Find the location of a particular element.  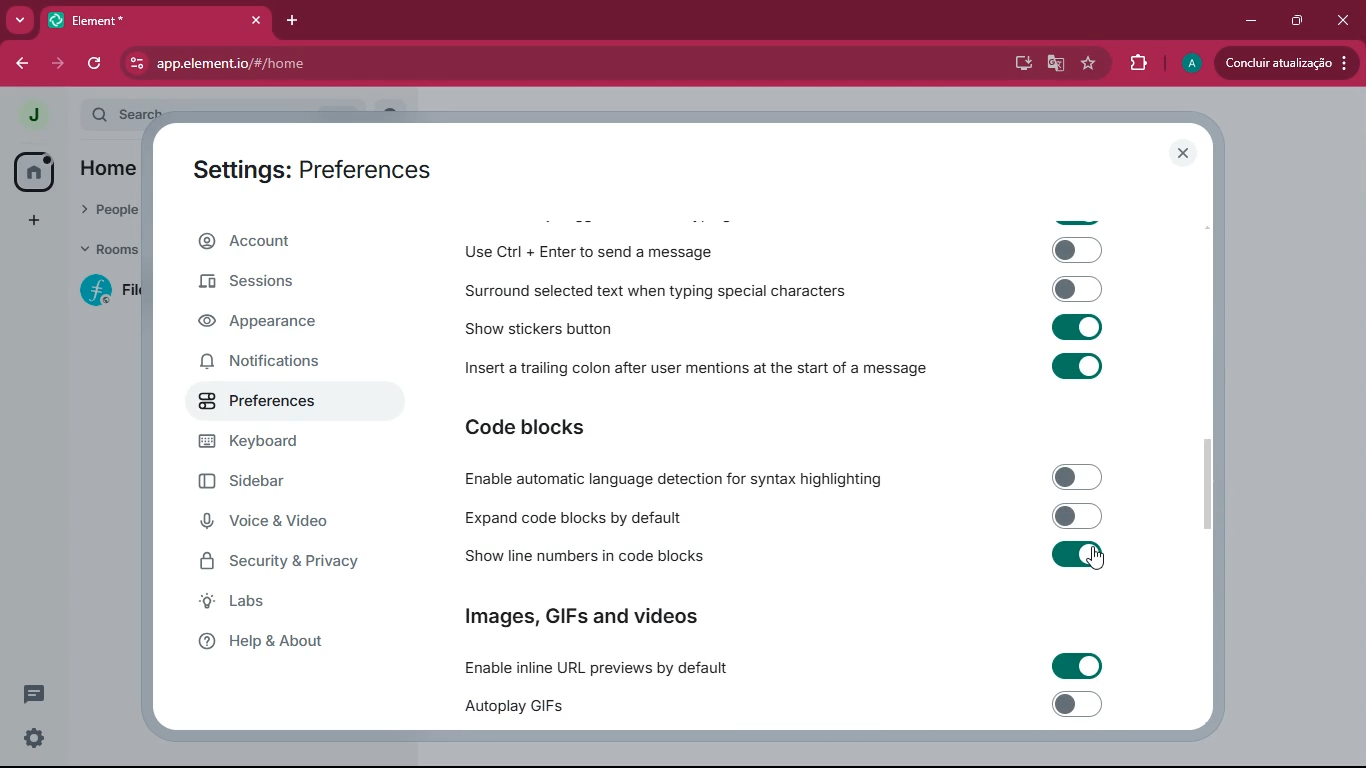

labs is located at coordinates (276, 602).